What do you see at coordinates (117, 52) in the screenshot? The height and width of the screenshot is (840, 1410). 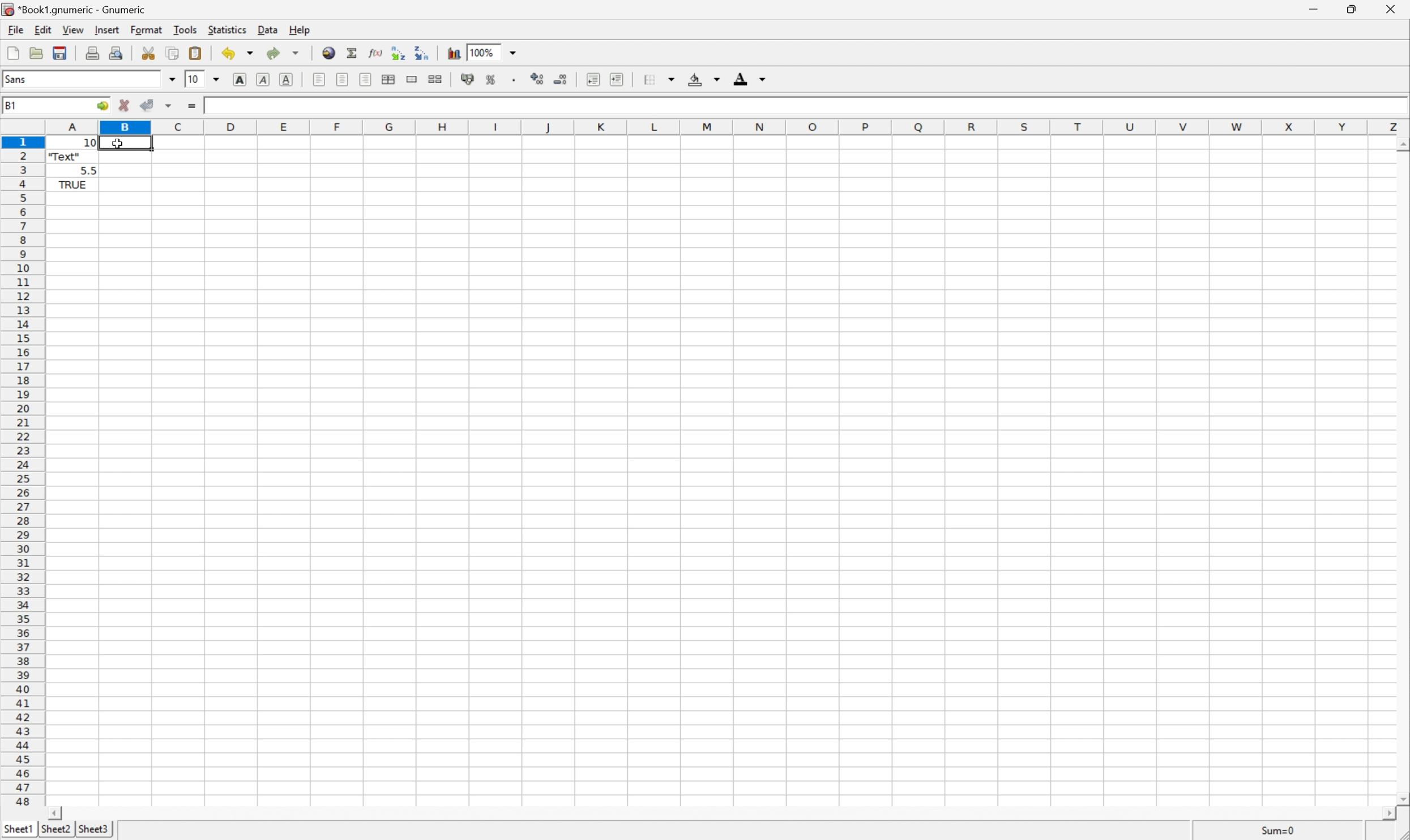 I see `Print preview` at bounding box center [117, 52].